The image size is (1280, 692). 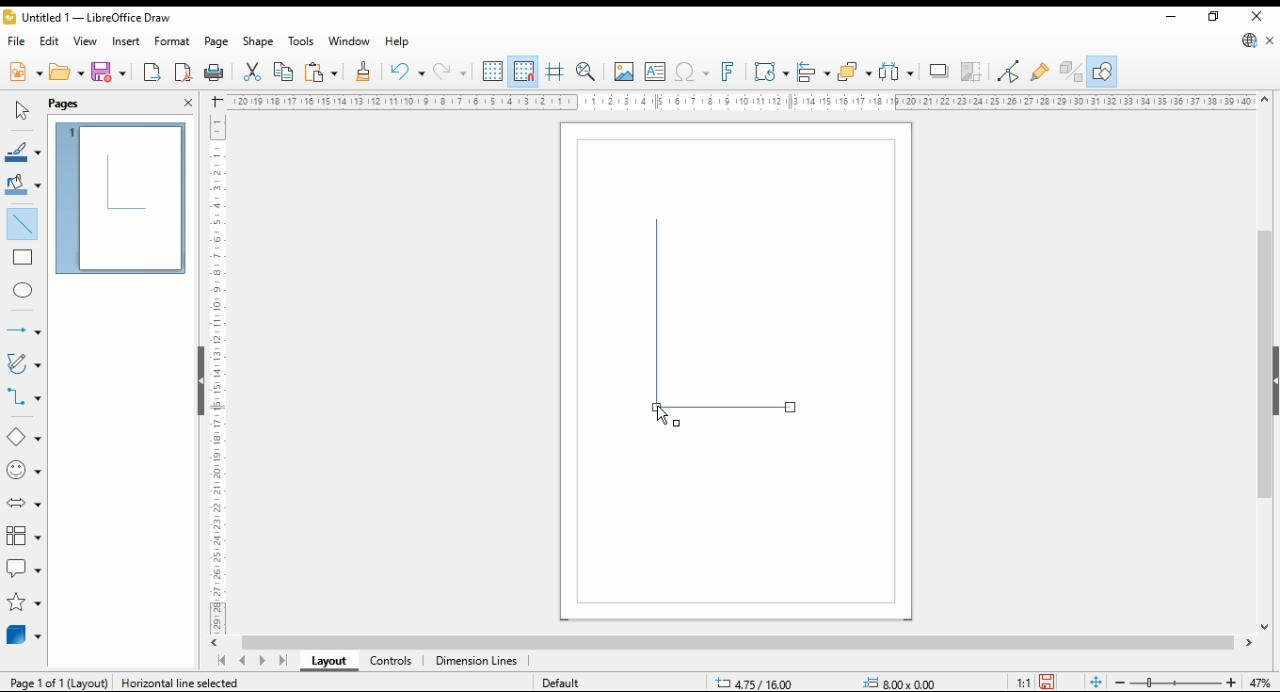 What do you see at coordinates (126, 41) in the screenshot?
I see `insert` at bounding box center [126, 41].